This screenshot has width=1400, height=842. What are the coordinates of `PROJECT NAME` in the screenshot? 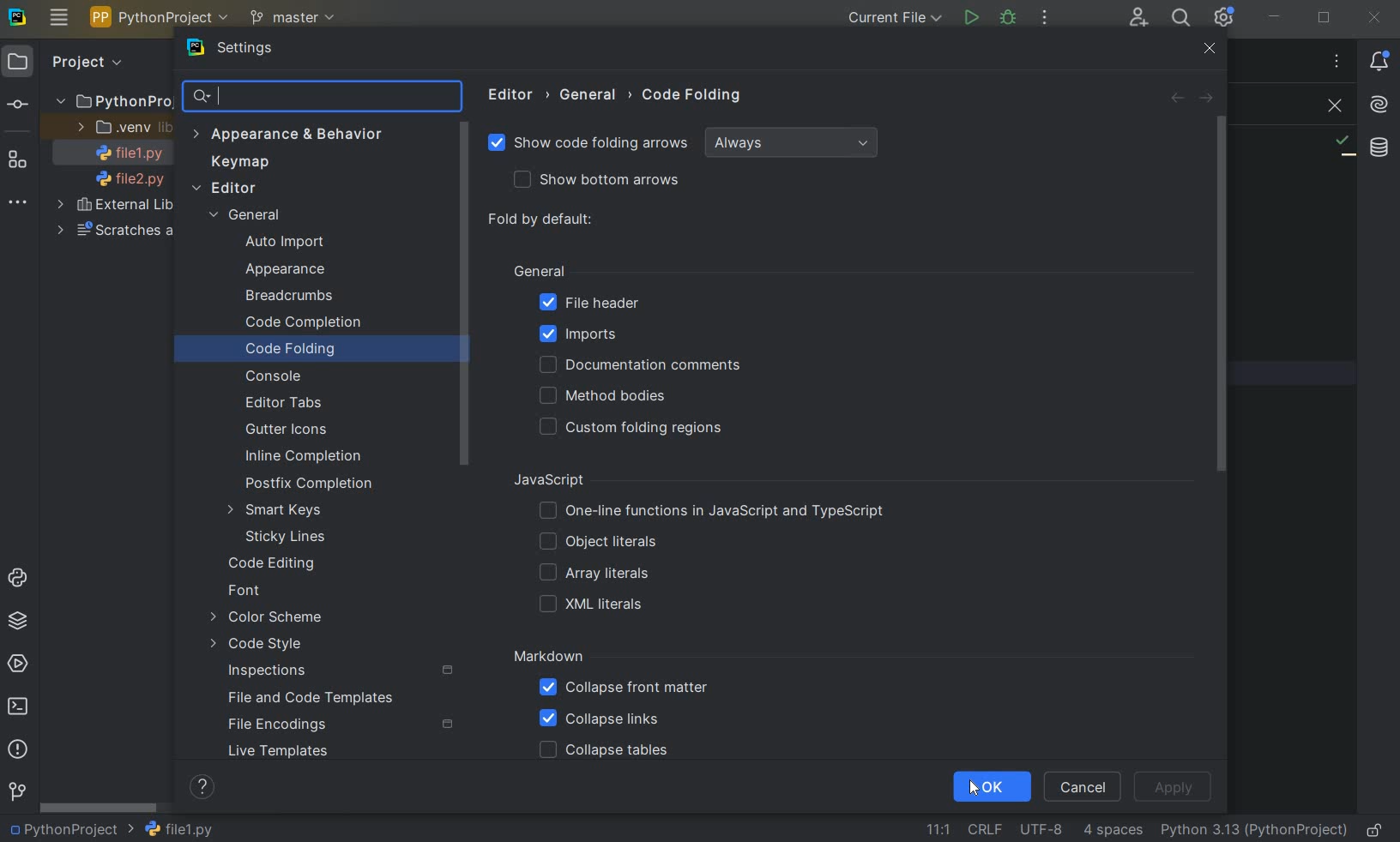 It's located at (70, 830).